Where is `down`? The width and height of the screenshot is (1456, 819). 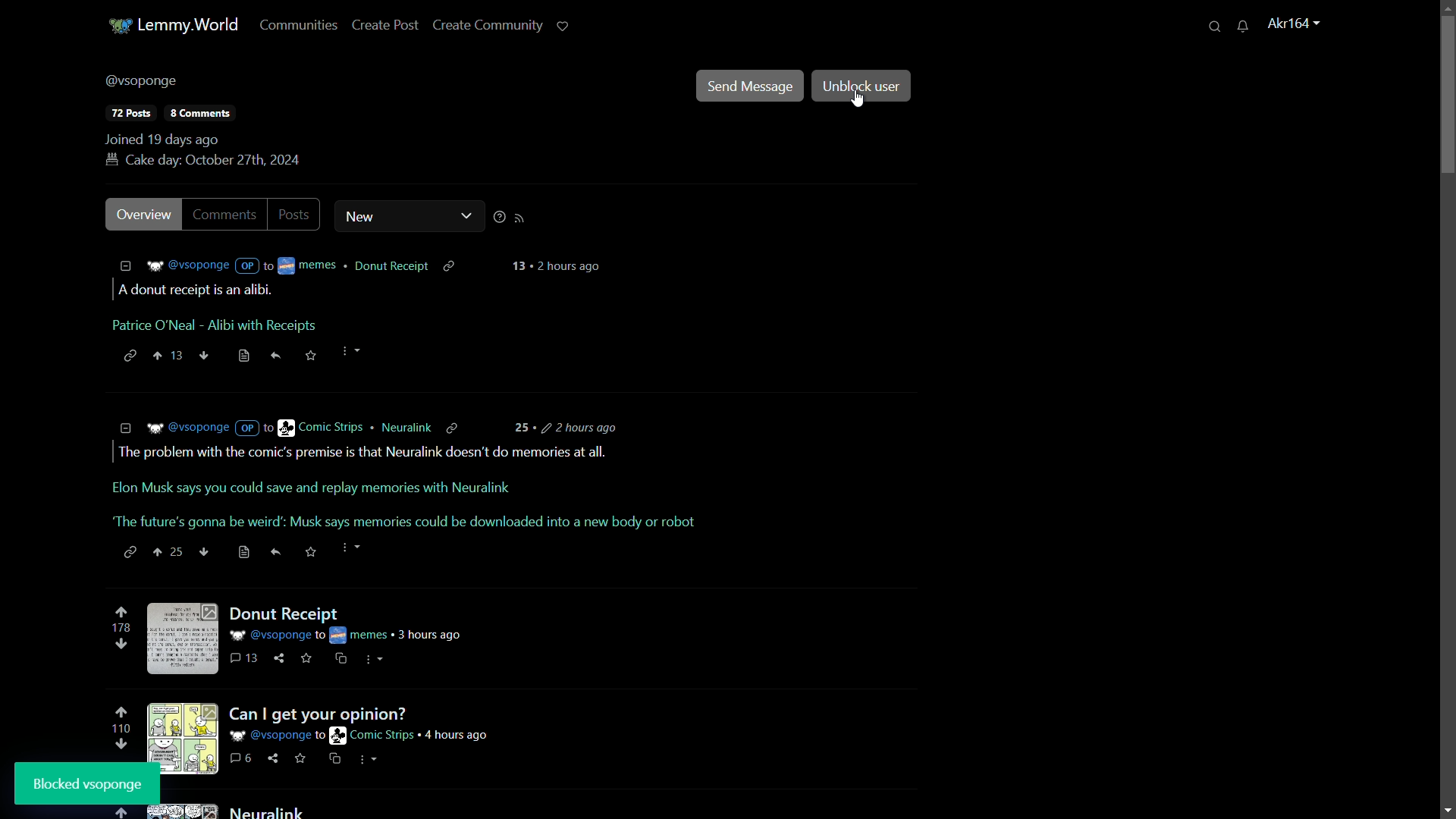
down is located at coordinates (204, 551).